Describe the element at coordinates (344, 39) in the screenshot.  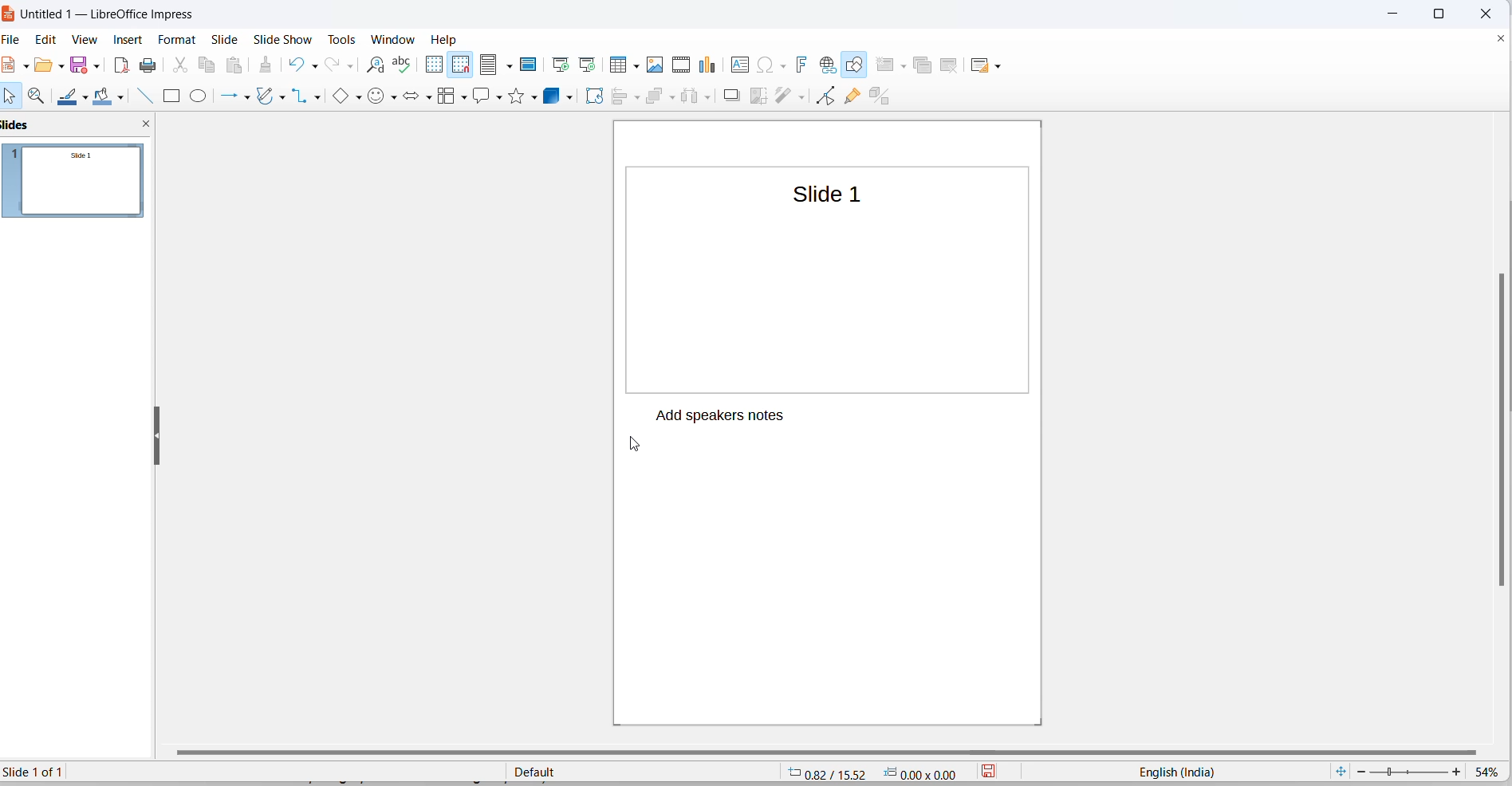
I see `tools` at that location.